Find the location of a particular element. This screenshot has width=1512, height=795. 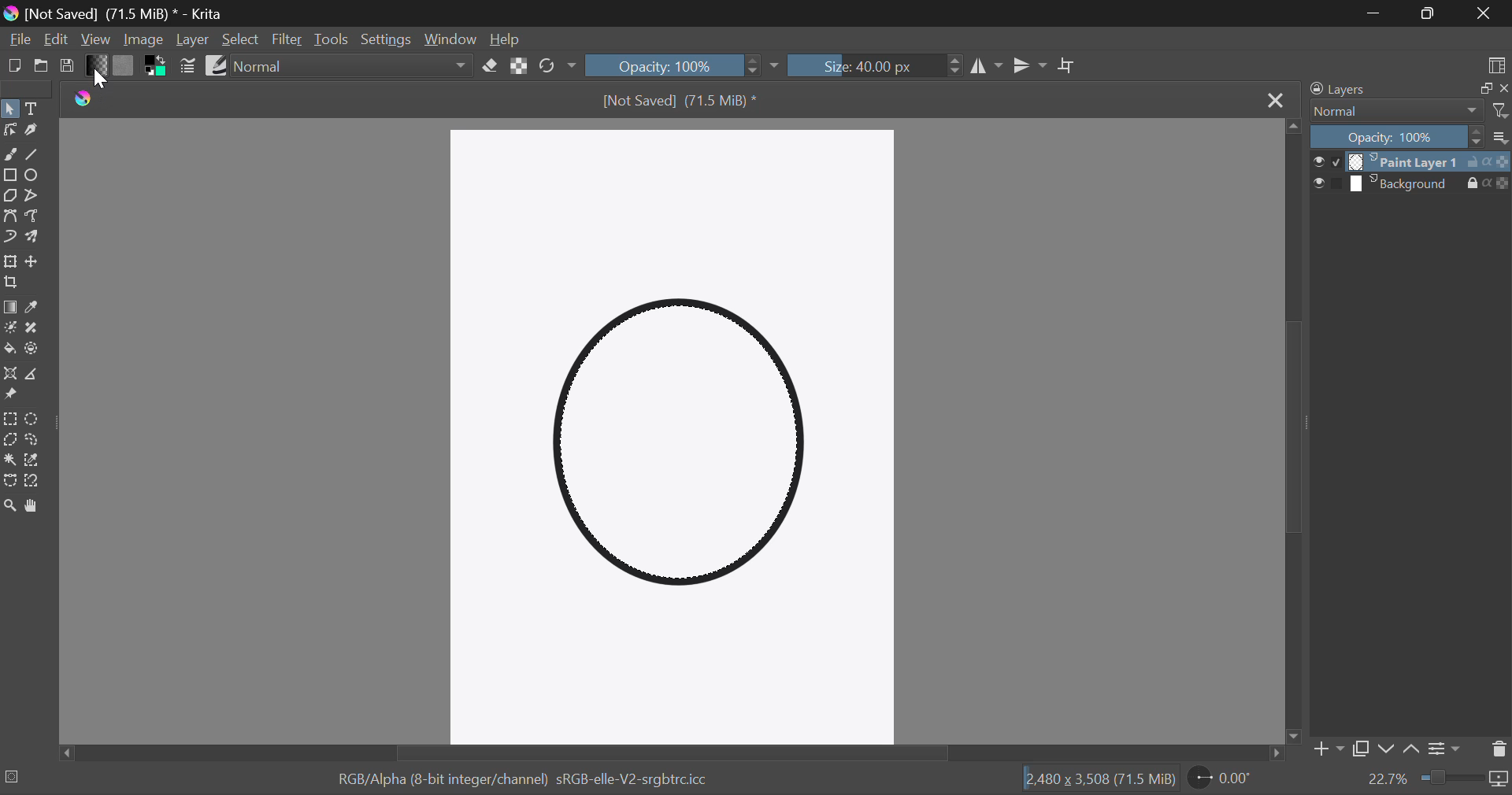

Move layer up is located at coordinates (1410, 749).